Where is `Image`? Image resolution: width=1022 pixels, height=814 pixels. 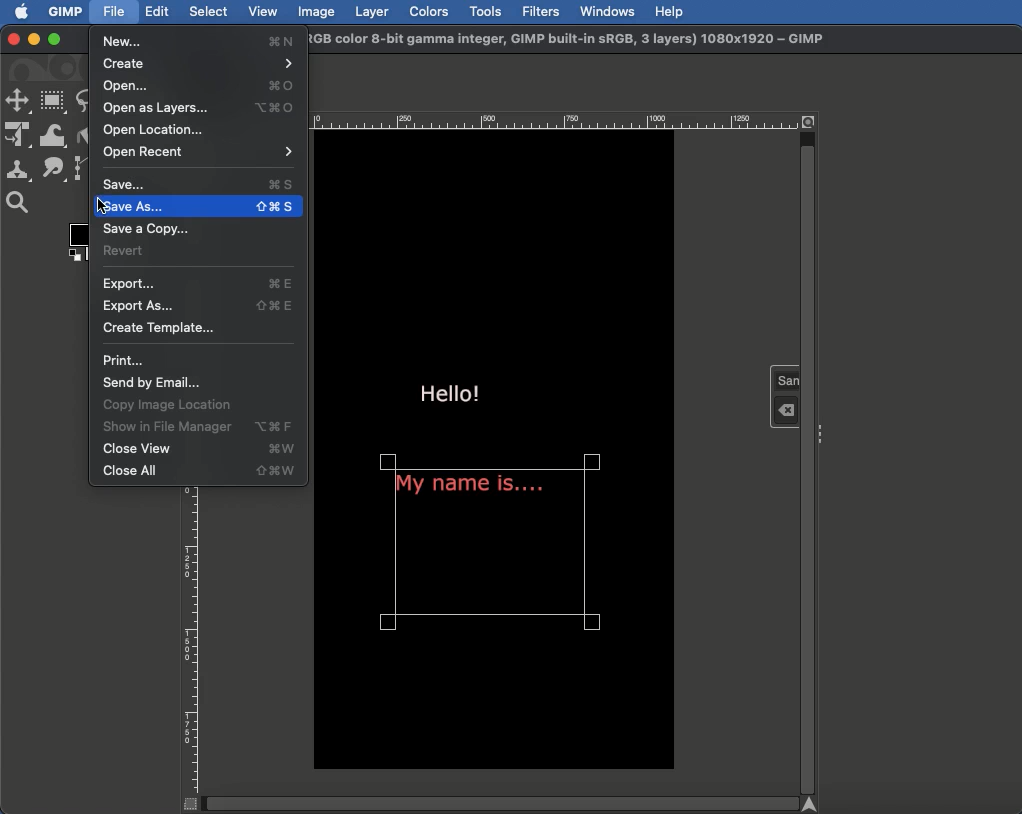 Image is located at coordinates (317, 12).